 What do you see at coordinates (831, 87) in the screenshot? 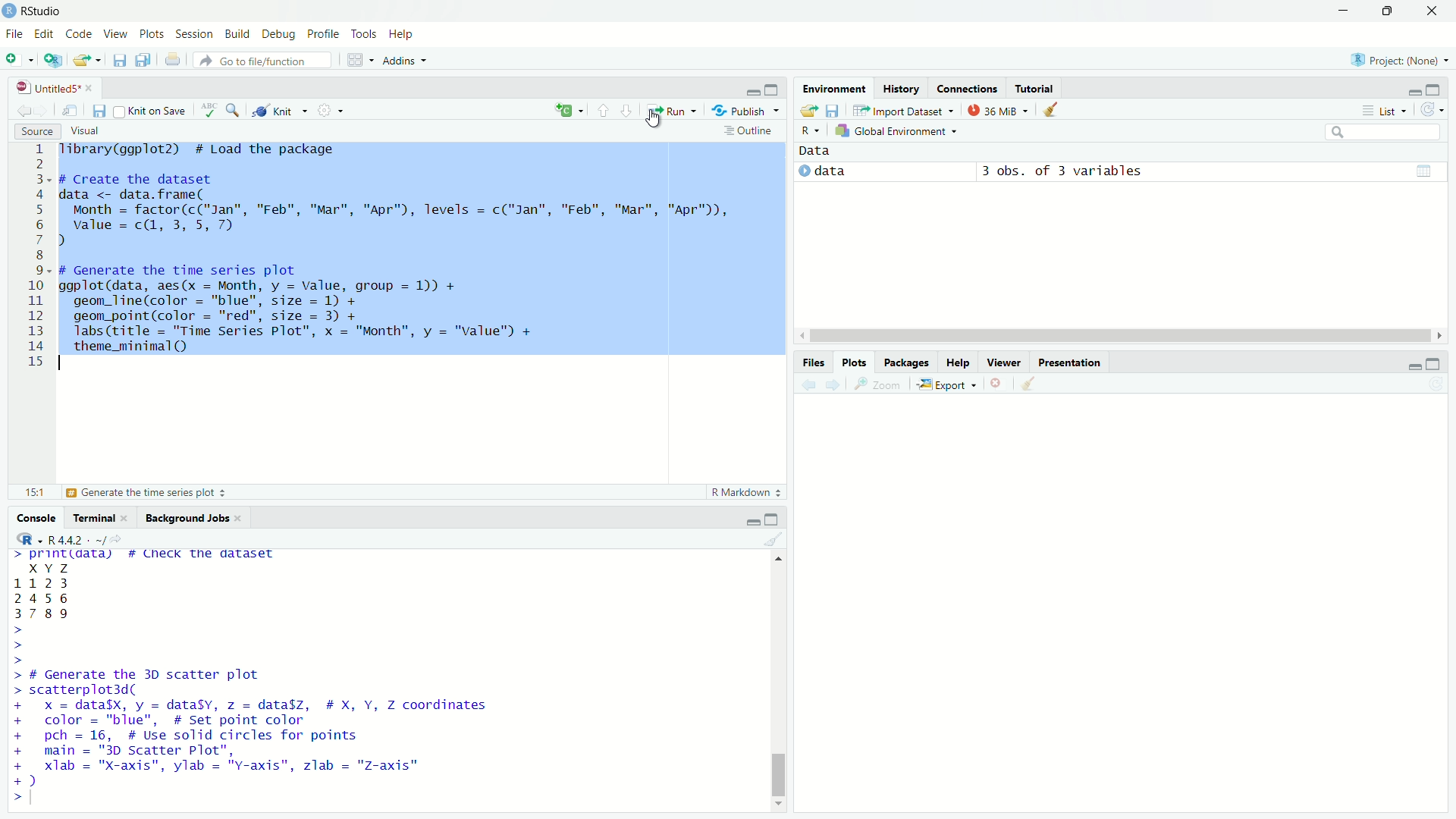
I see `environment` at bounding box center [831, 87].